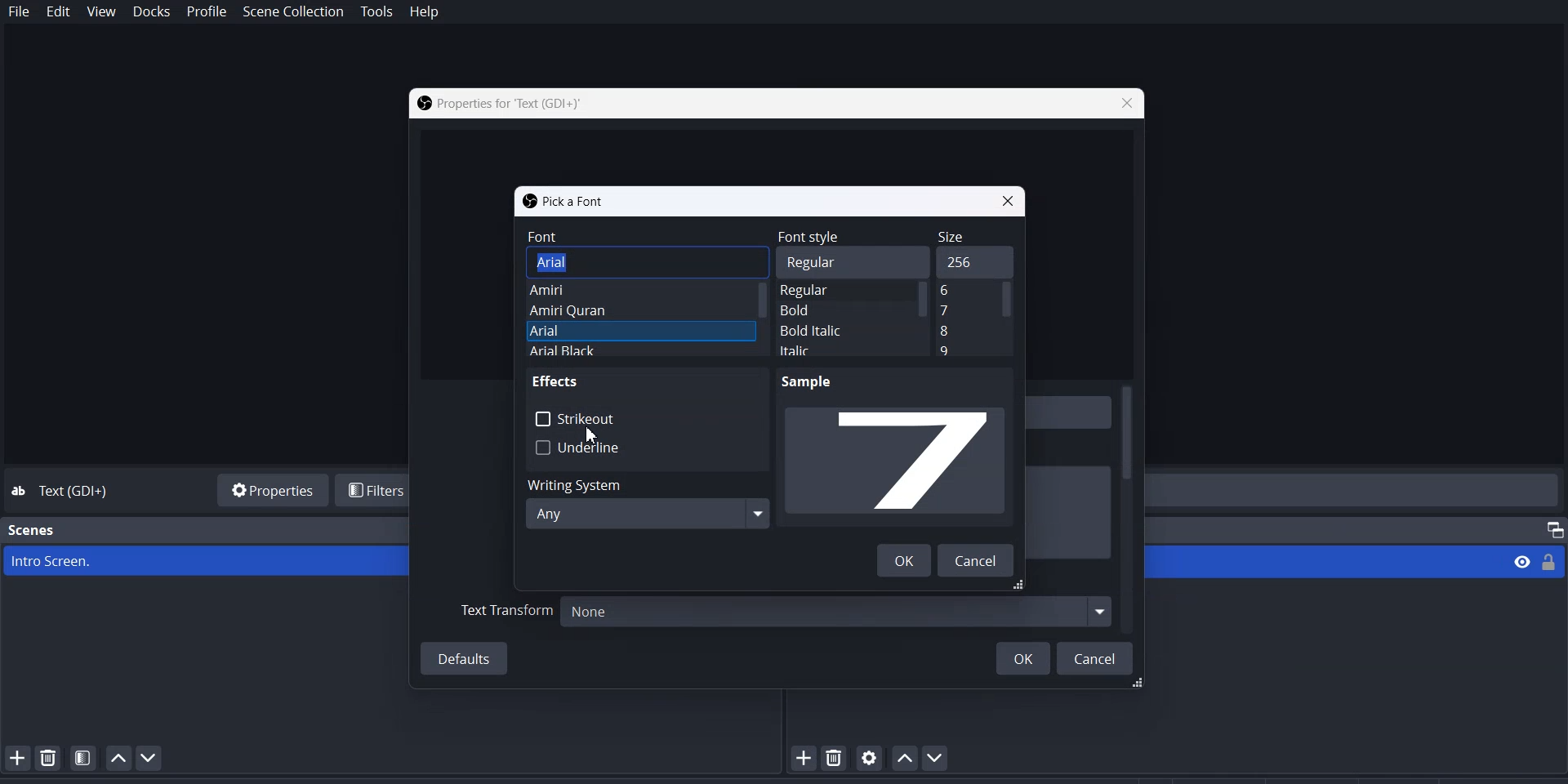 This screenshot has height=784, width=1568. Describe the element at coordinates (1022, 657) in the screenshot. I see `OK` at that location.